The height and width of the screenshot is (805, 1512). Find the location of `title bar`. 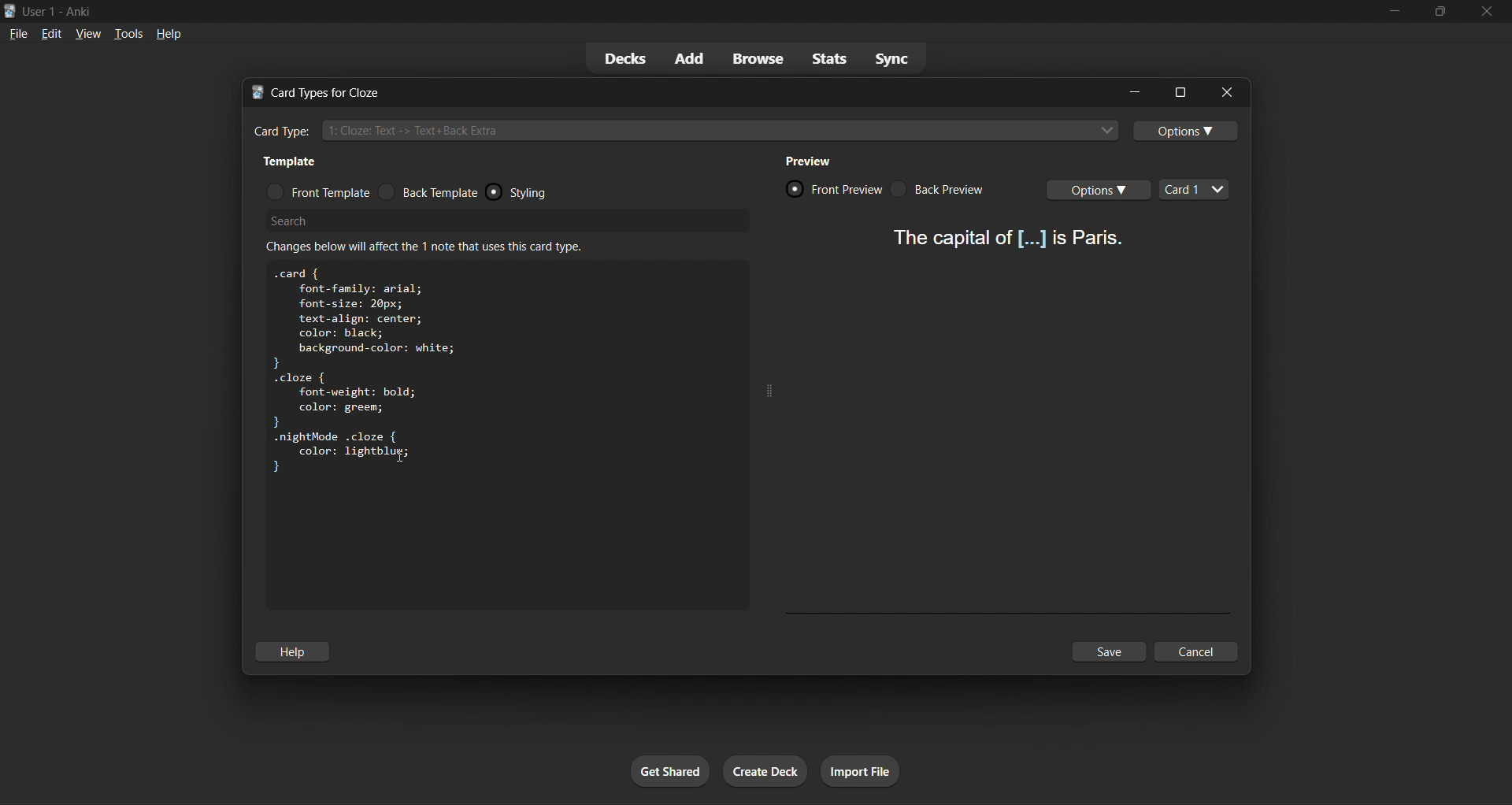

title bar is located at coordinates (689, 10).